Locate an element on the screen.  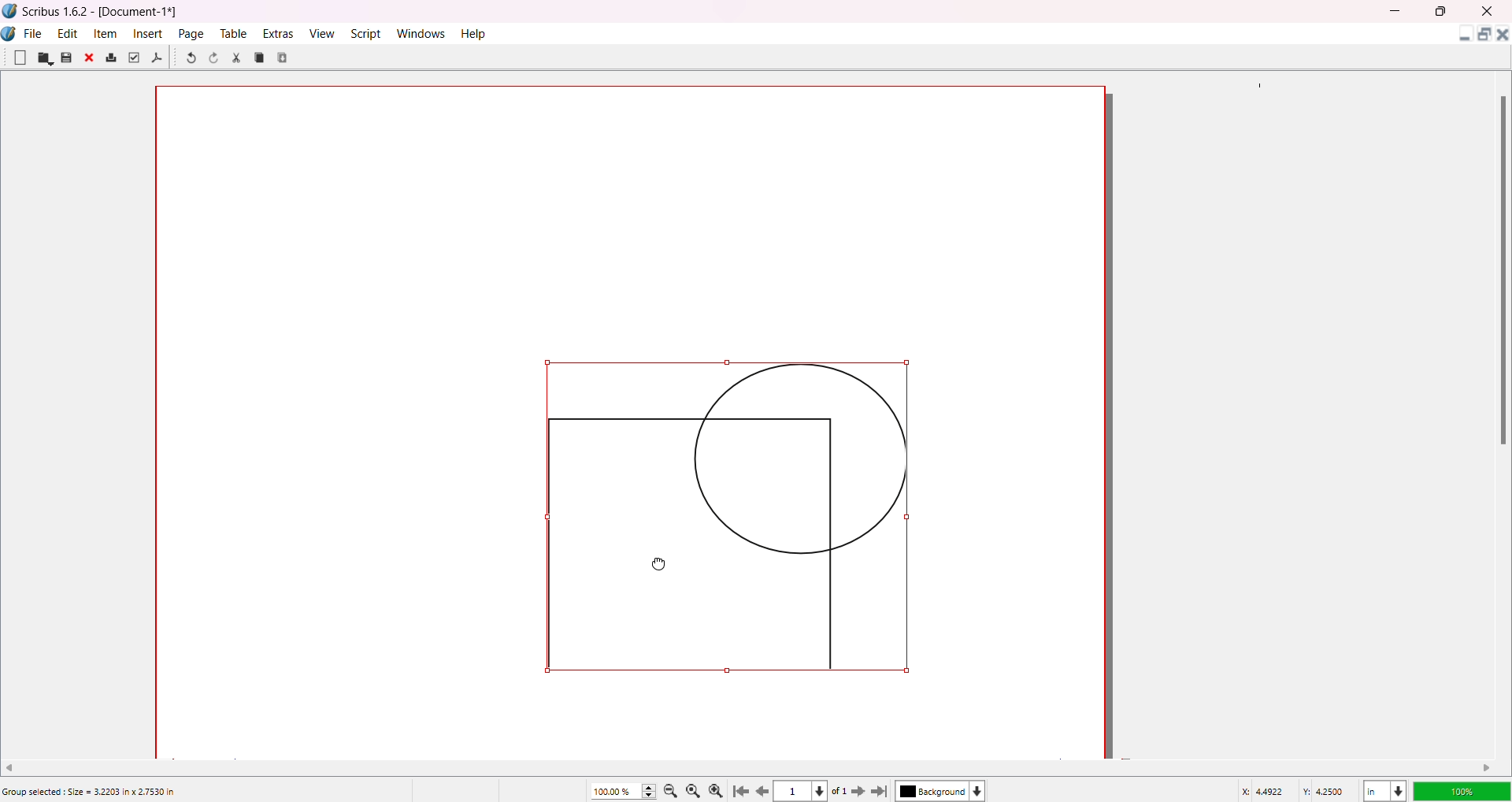
Undo is located at coordinates (190, 59).